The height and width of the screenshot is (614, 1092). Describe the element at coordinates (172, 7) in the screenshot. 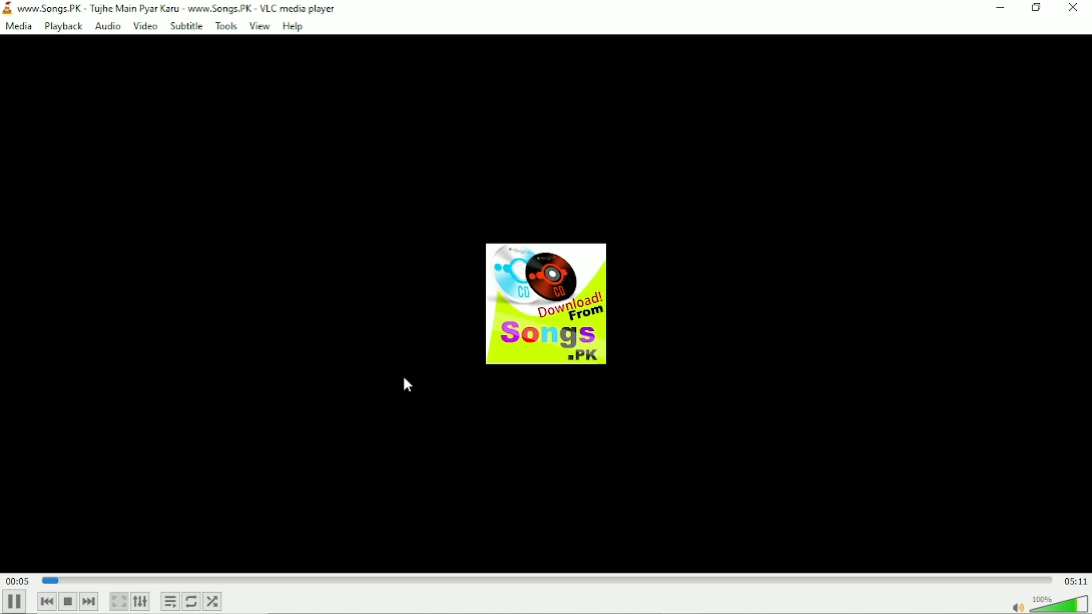

I see `www.Songs.PK - Tujhe Main Pyar Karu - www.Songs.PK - VLC media player` at that location.